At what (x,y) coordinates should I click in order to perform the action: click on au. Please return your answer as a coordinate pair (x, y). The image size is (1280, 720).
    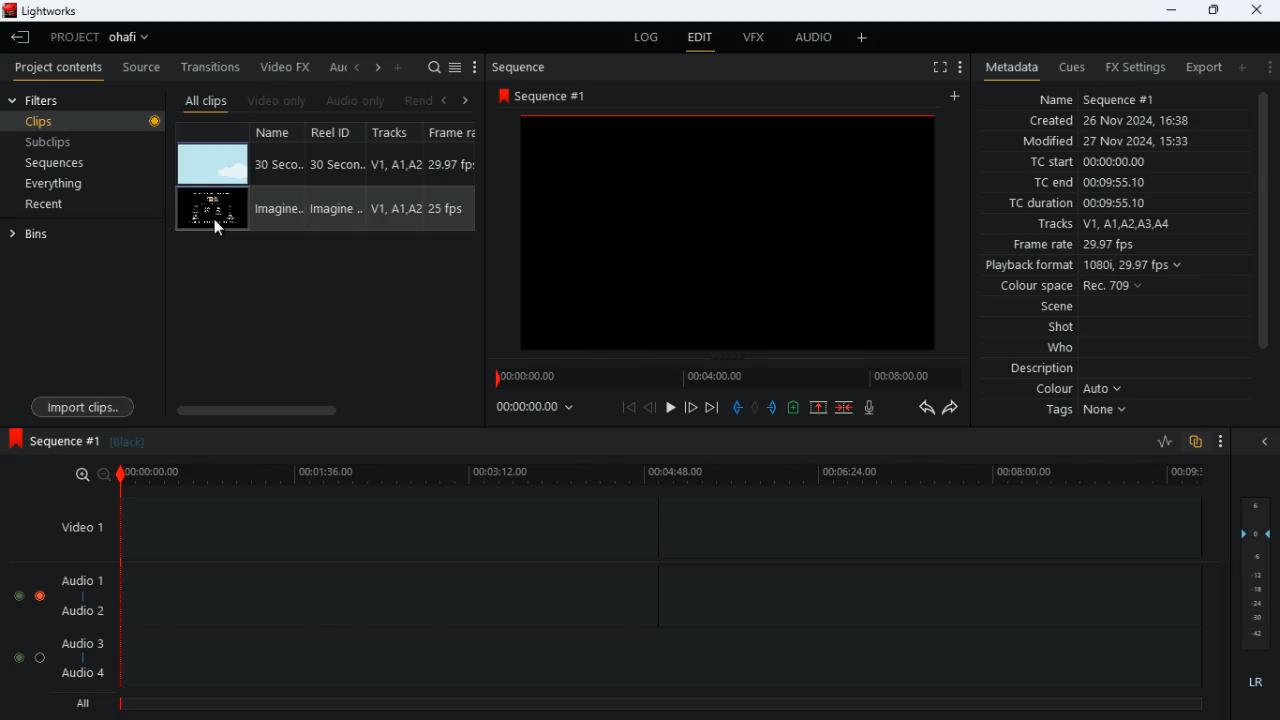
    Looking at the image, I should click on (338, 67).